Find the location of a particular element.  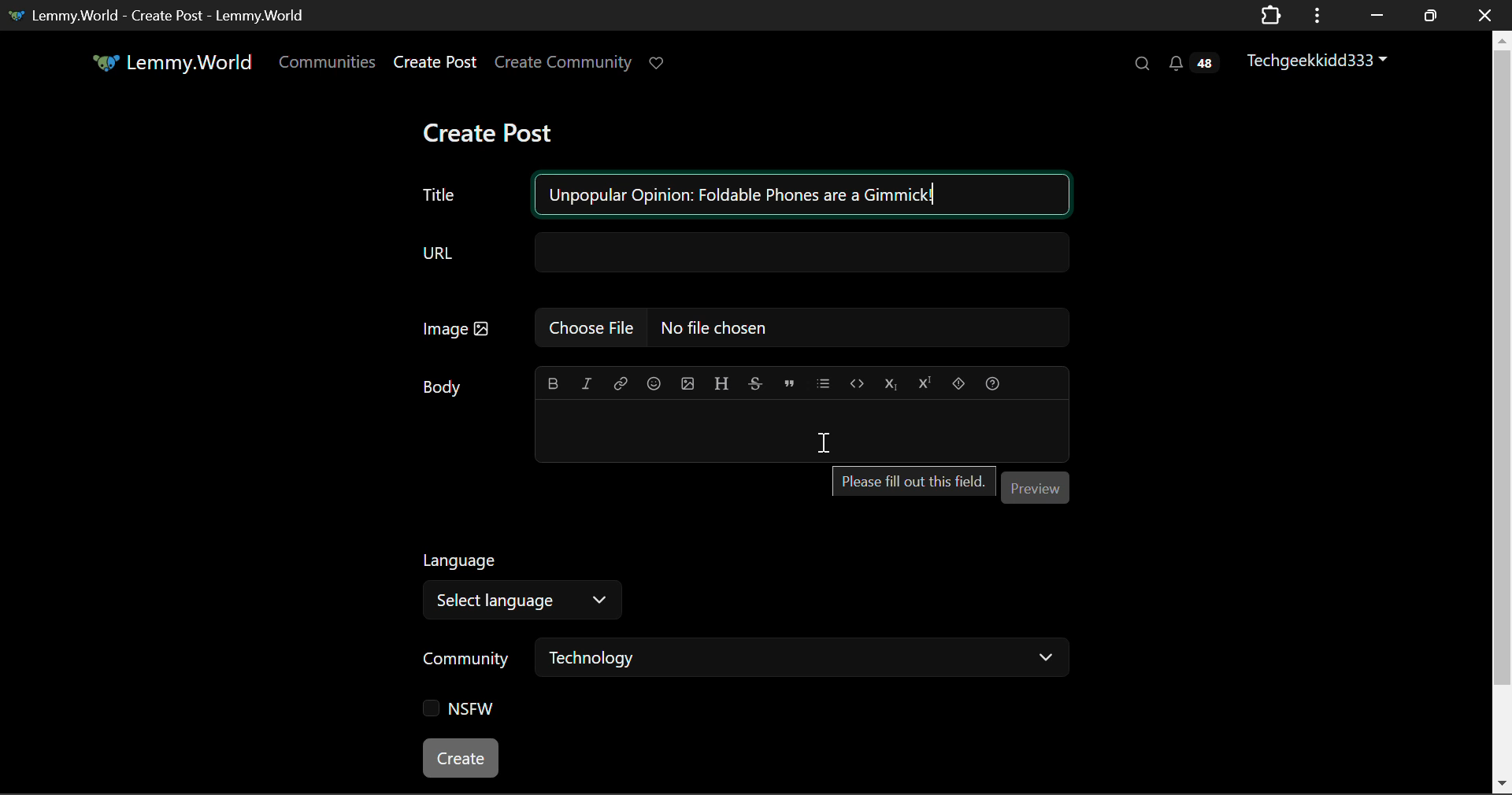

Search  is located at coordinates (1140, 63).